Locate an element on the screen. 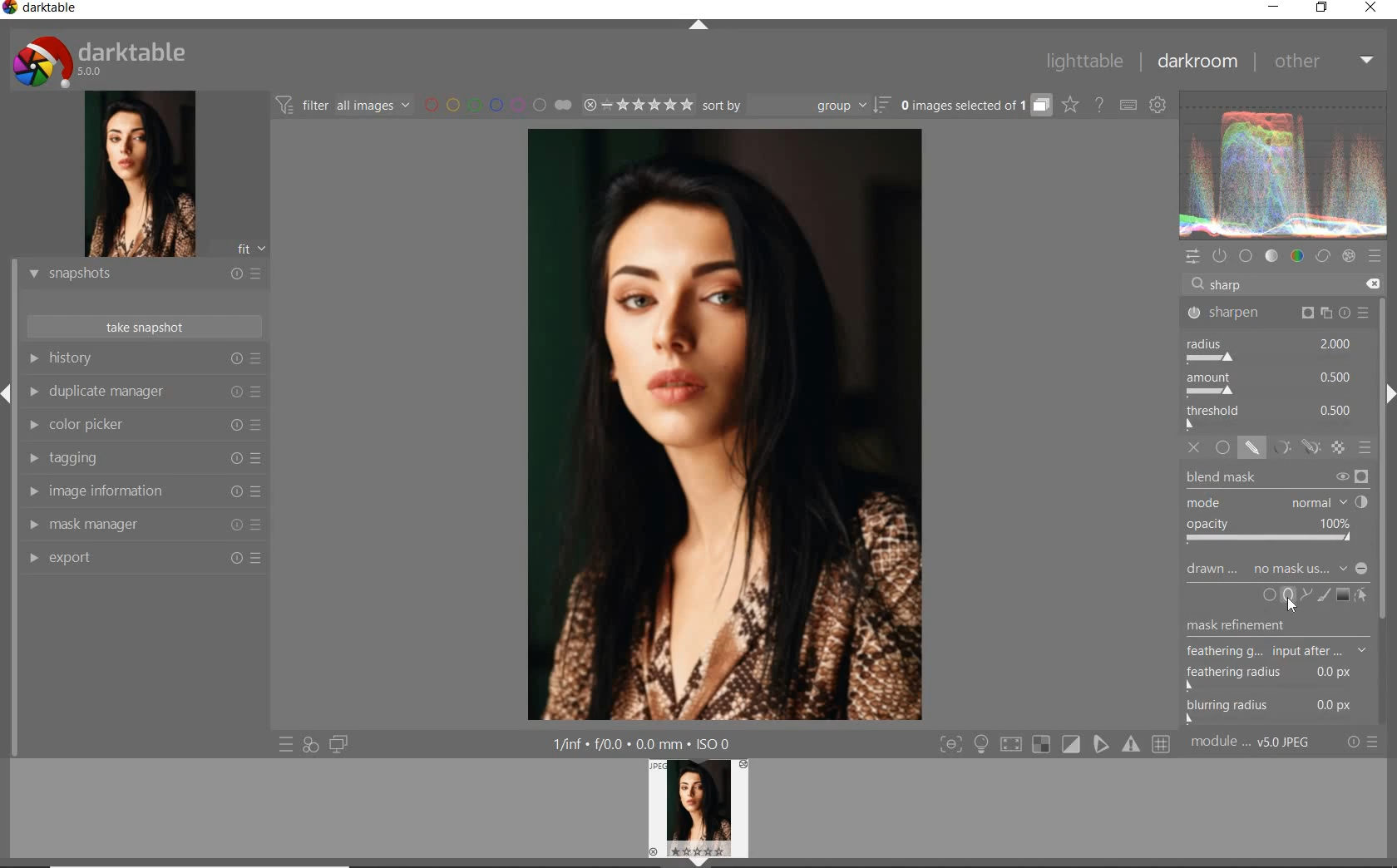 This screenshot has width=1397, height=868. threshold is located at coordinates (1274, 417).